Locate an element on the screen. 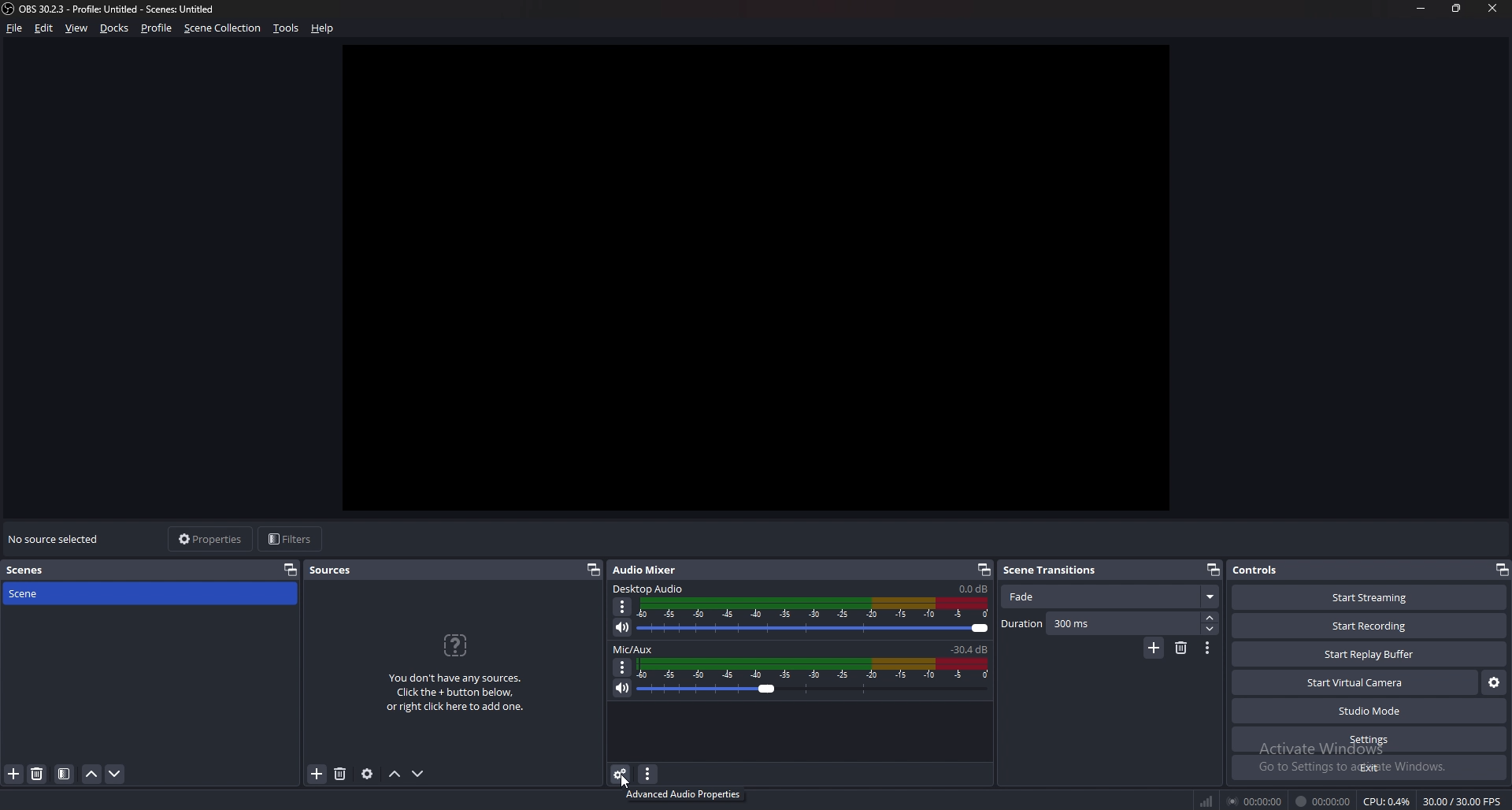 Image resolution: width=1512 pixels, height=810 pixels. cursor is located at coordinates (616, 782).